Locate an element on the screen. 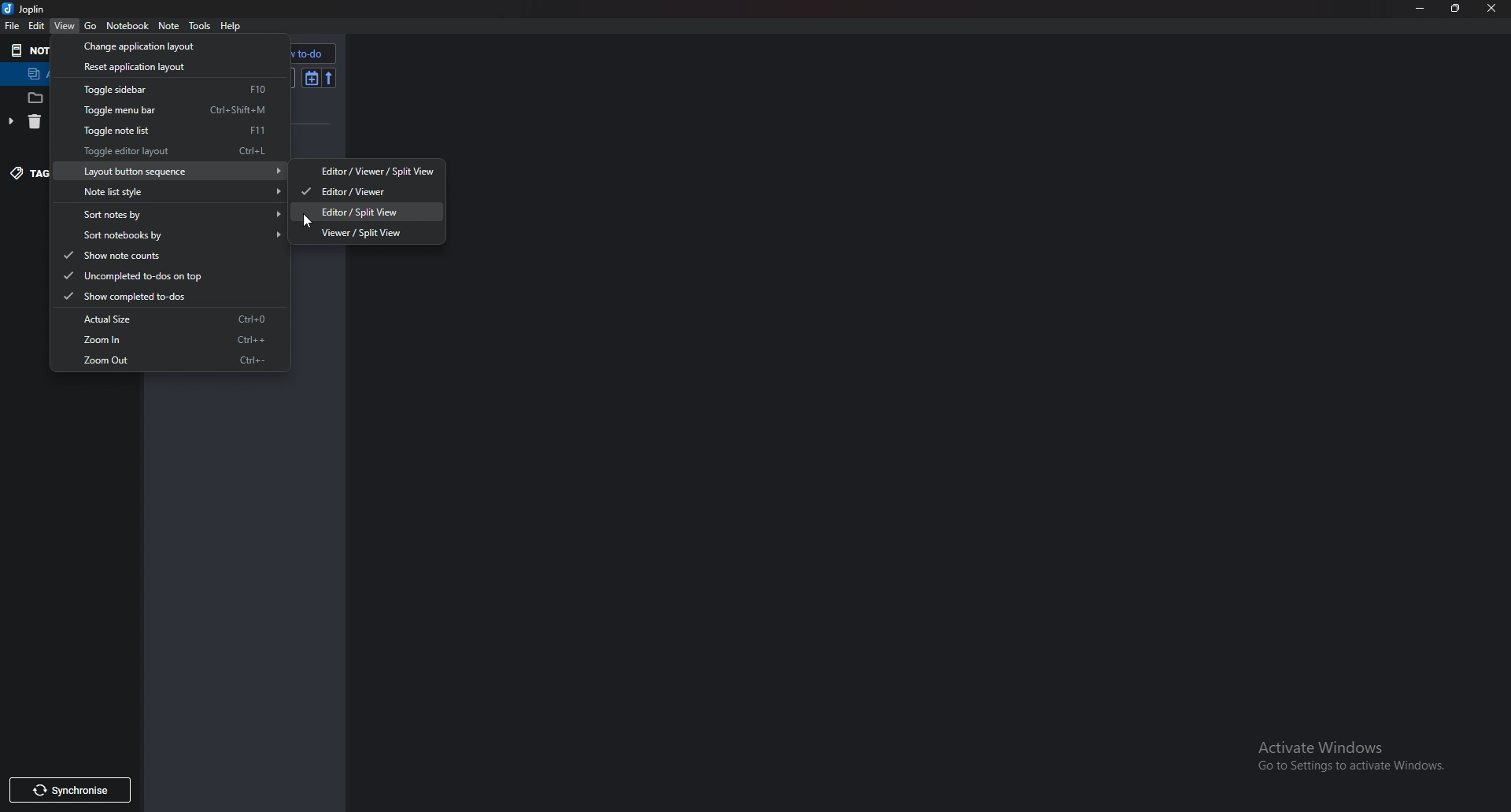 The width and height of the screenshot is (1511, 812). show note counts is located at coordinates (160, 257).